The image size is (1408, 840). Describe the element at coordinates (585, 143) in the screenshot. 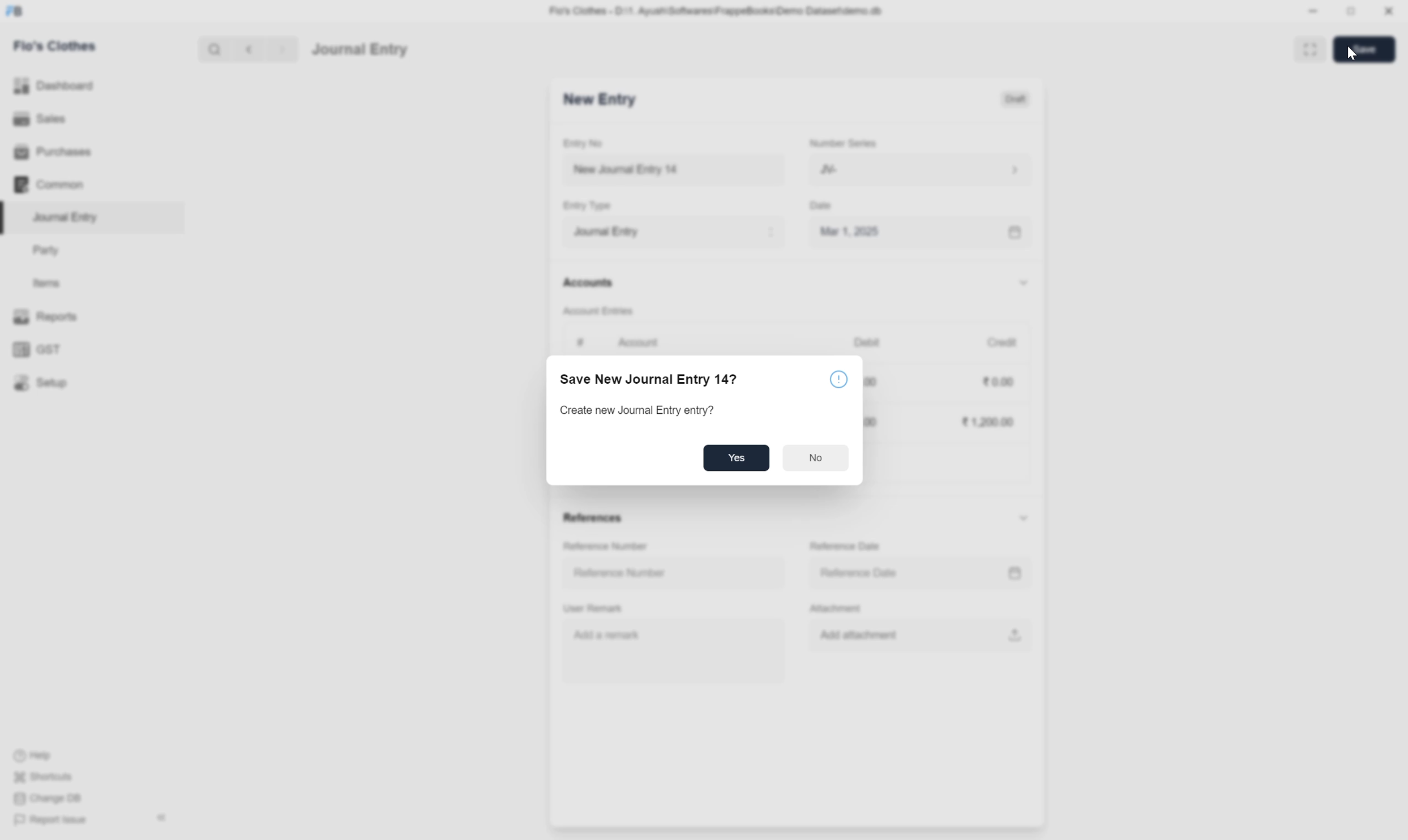

I see `Entry No` at that location.